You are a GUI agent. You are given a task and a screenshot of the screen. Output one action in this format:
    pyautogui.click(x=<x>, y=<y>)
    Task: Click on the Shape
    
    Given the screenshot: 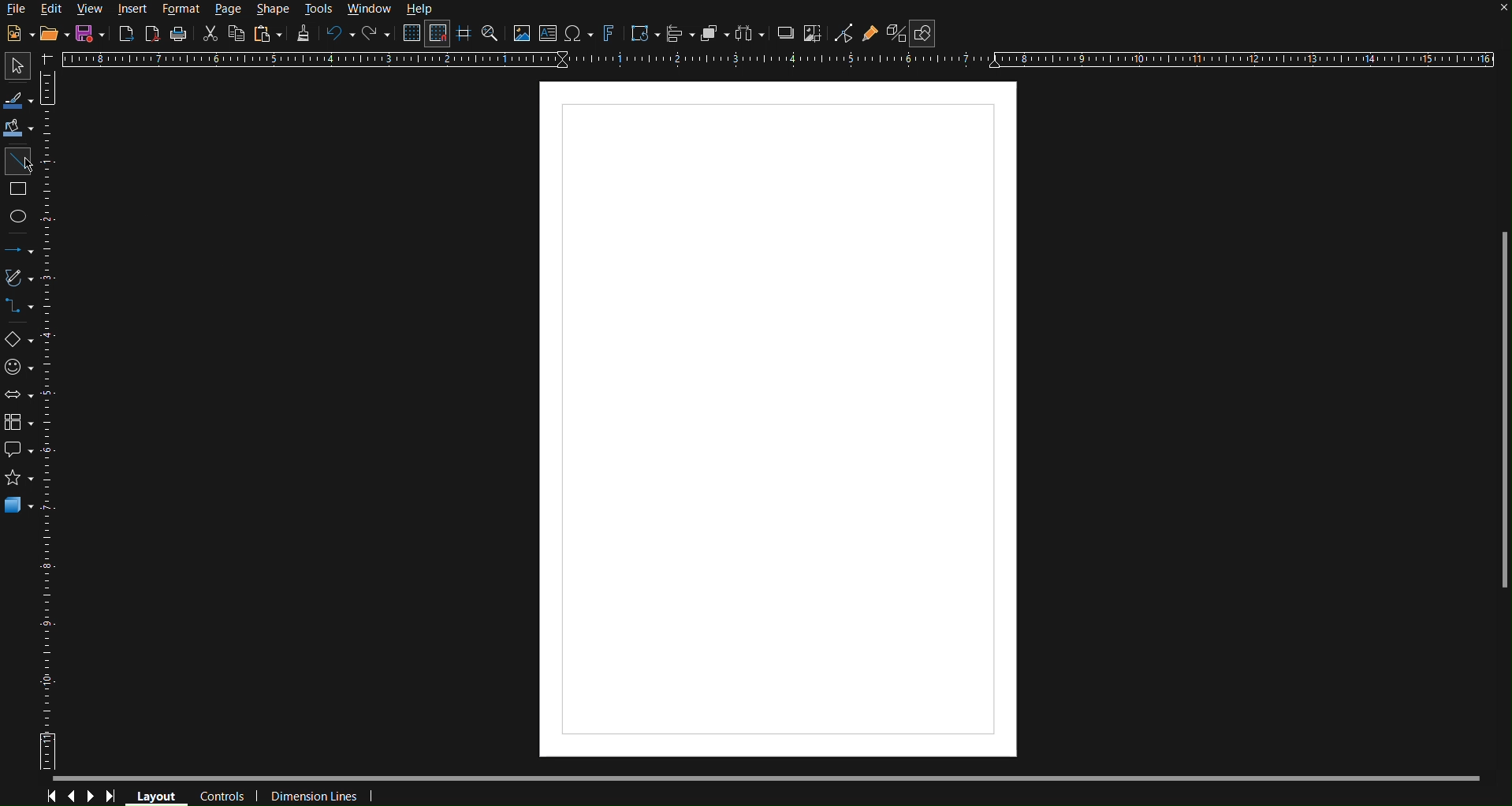 What is the action you would take?
    pyautogui.click(x=274, y=9)
    